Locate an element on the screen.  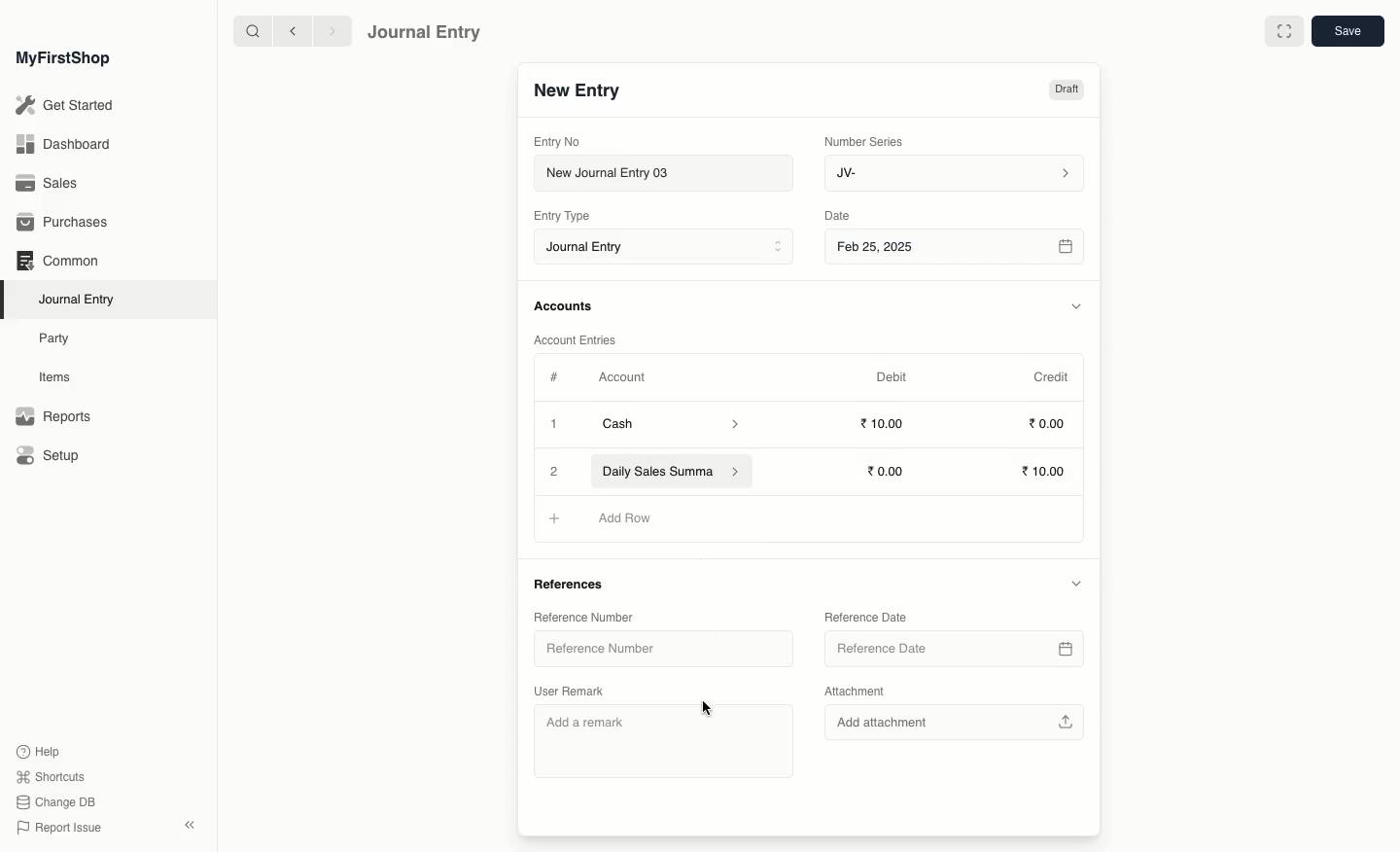
Journal Entry is located at coordinates (82, 299).